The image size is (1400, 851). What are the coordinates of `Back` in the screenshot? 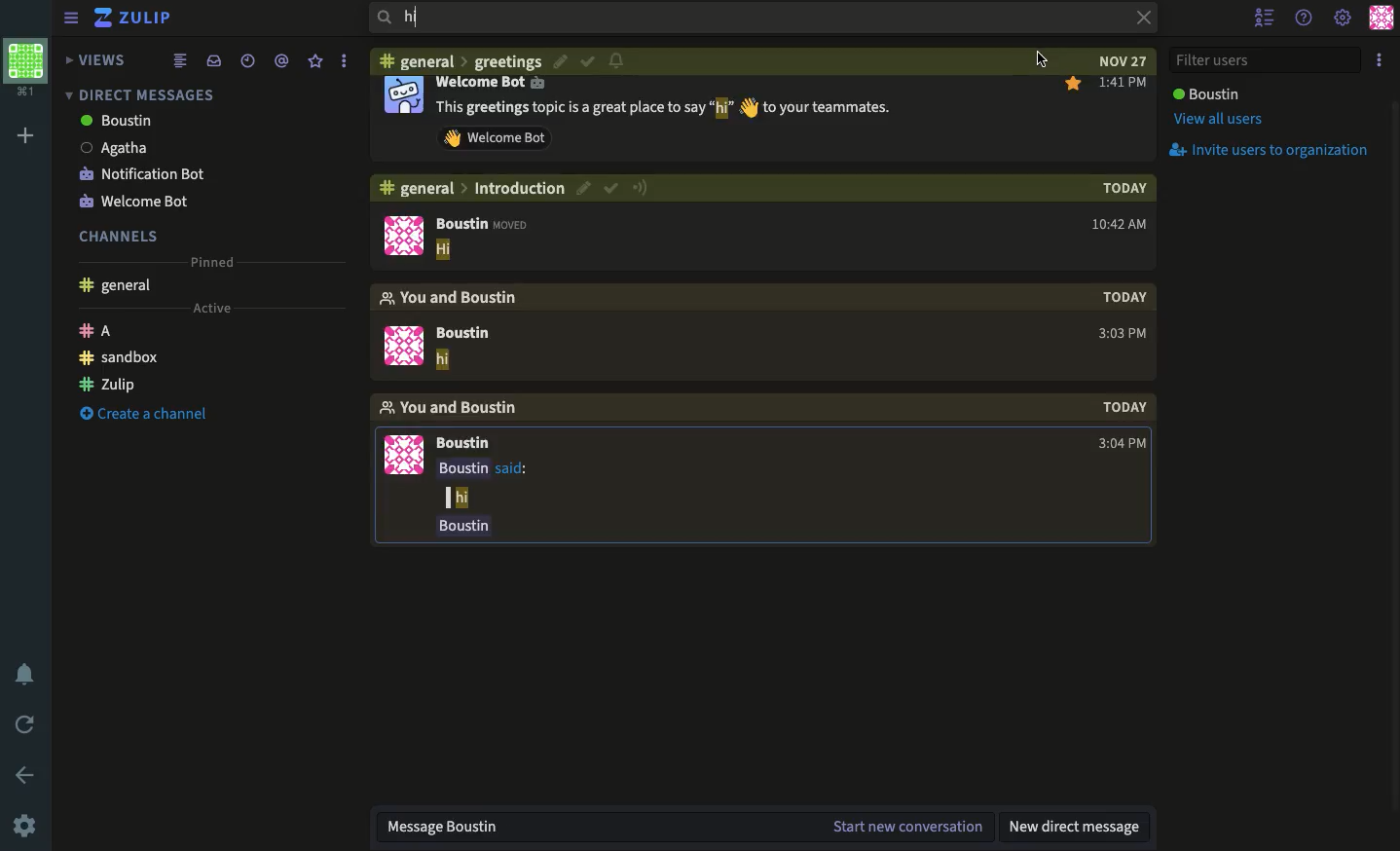 It's located at (27, 774).